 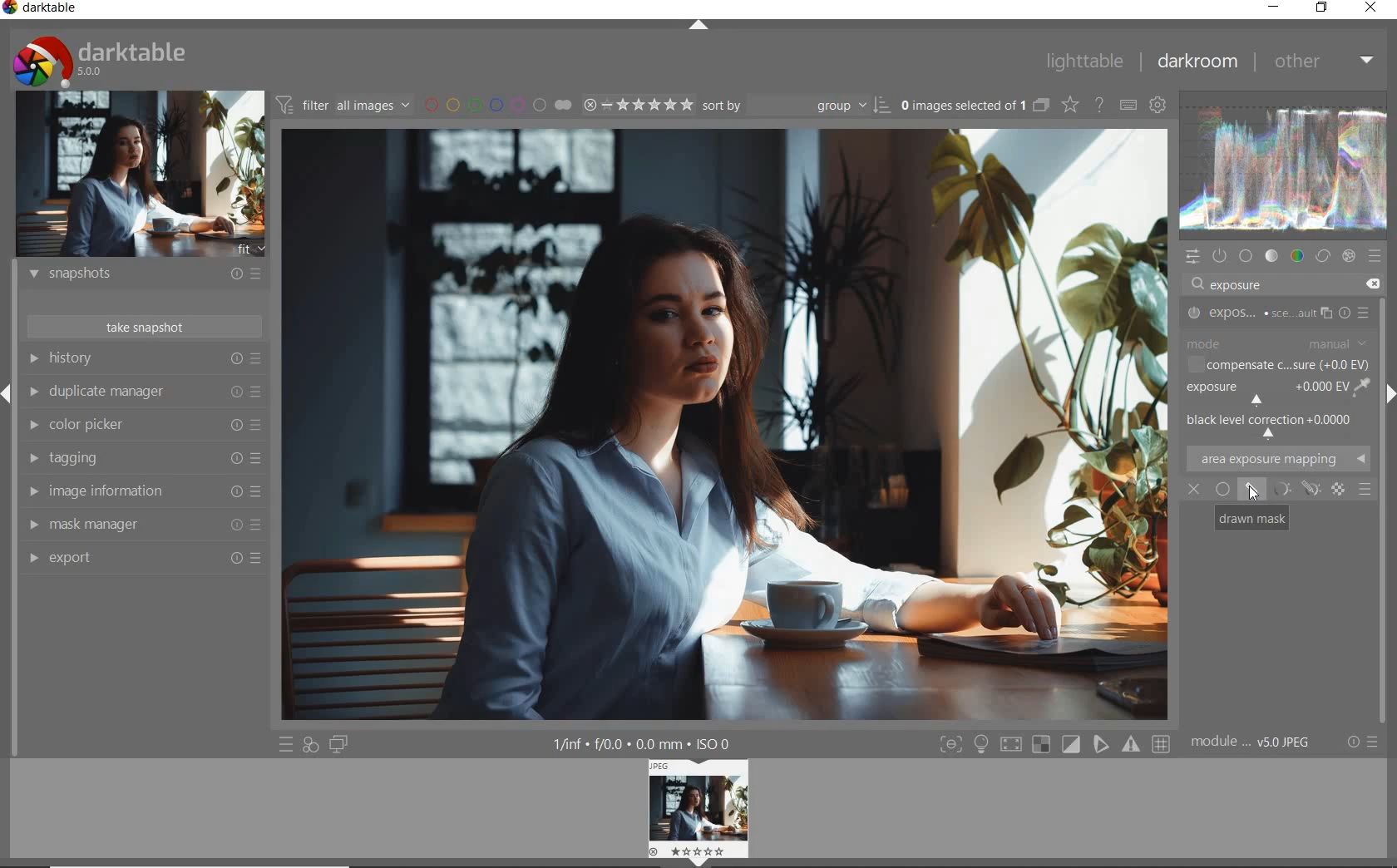 I want to click on PICK GUI COLOR FROM IMAGE, so click(x=1364, y=387).